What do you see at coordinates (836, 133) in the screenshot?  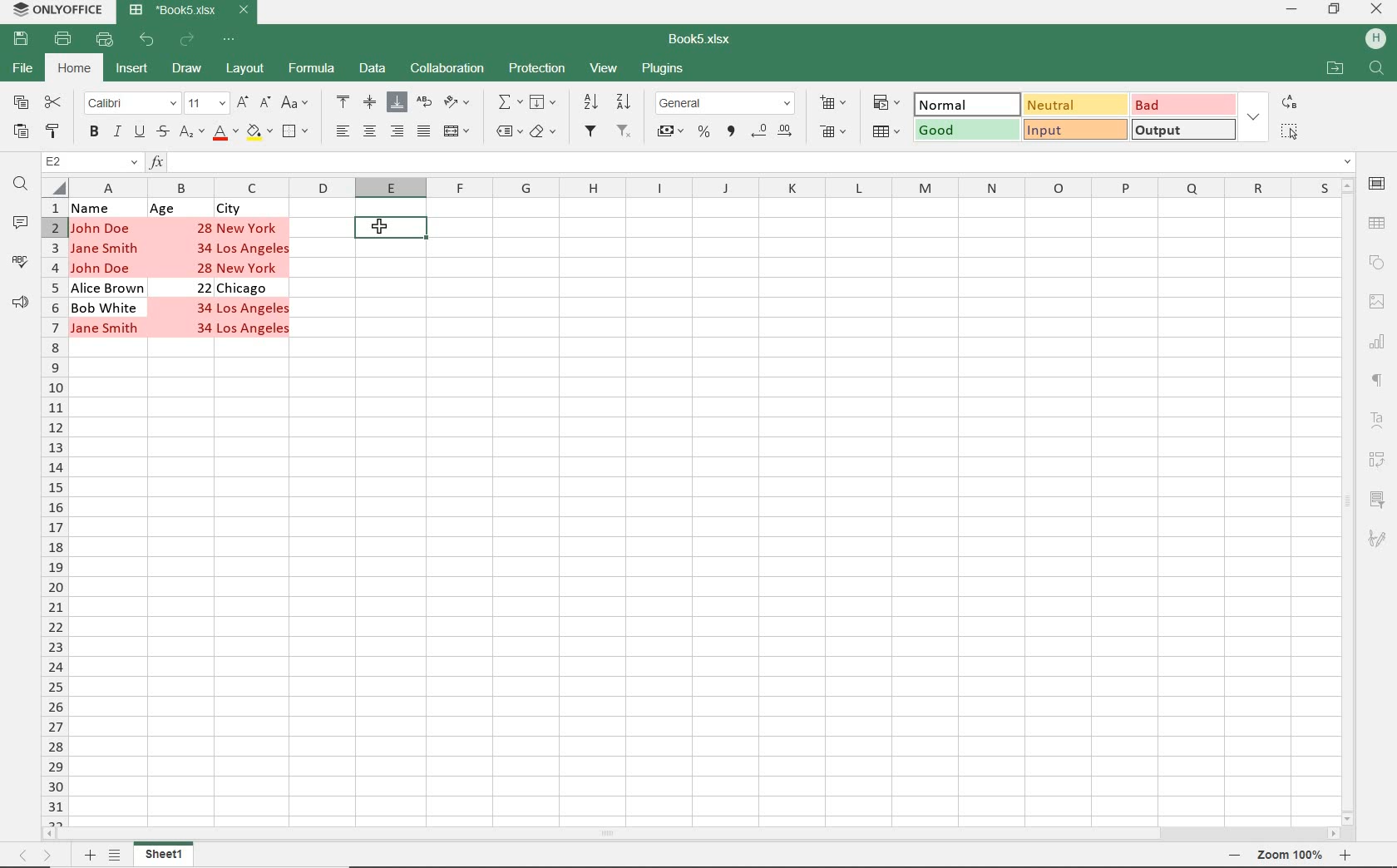 I see `DELETE CELLS` at bounding box center [836, 133].